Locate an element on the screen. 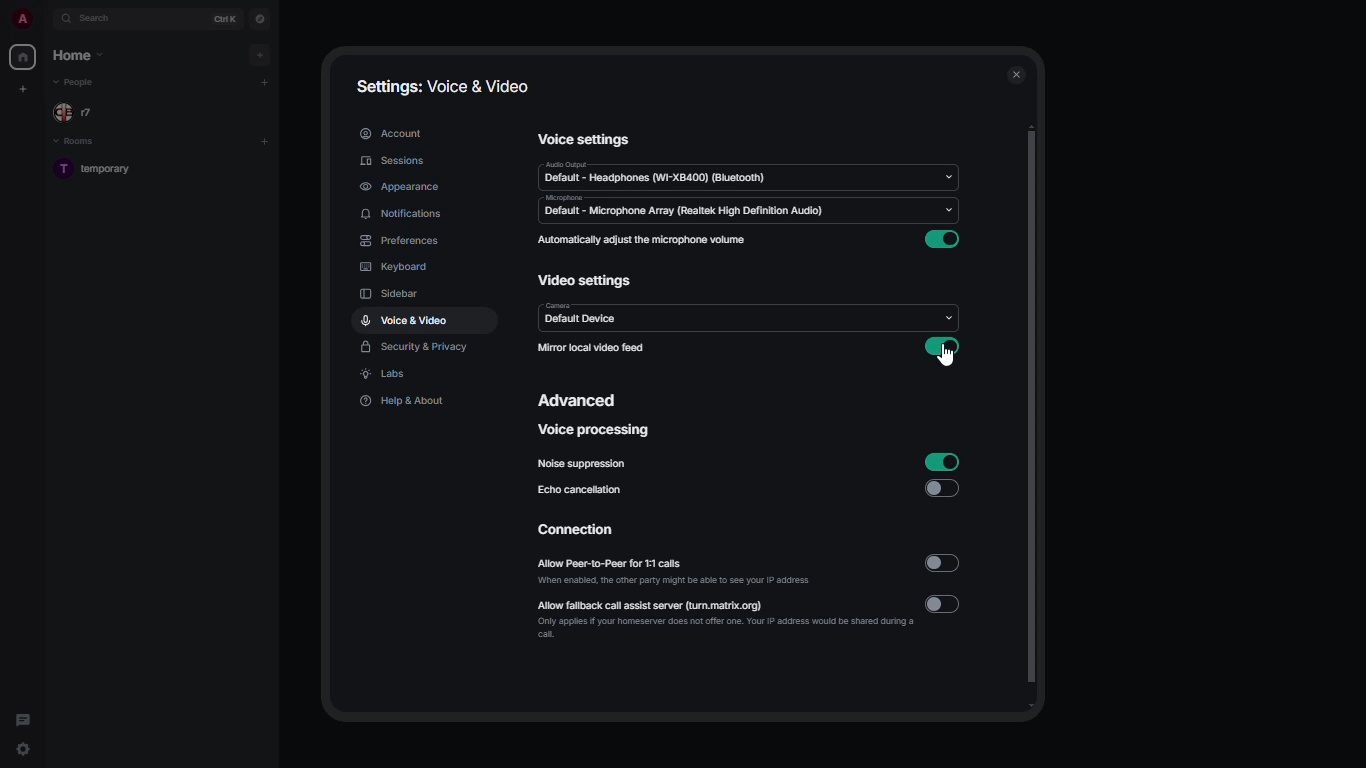 This screenshot has height=768, width=1366. sessions is located at coordinates (398, 162).